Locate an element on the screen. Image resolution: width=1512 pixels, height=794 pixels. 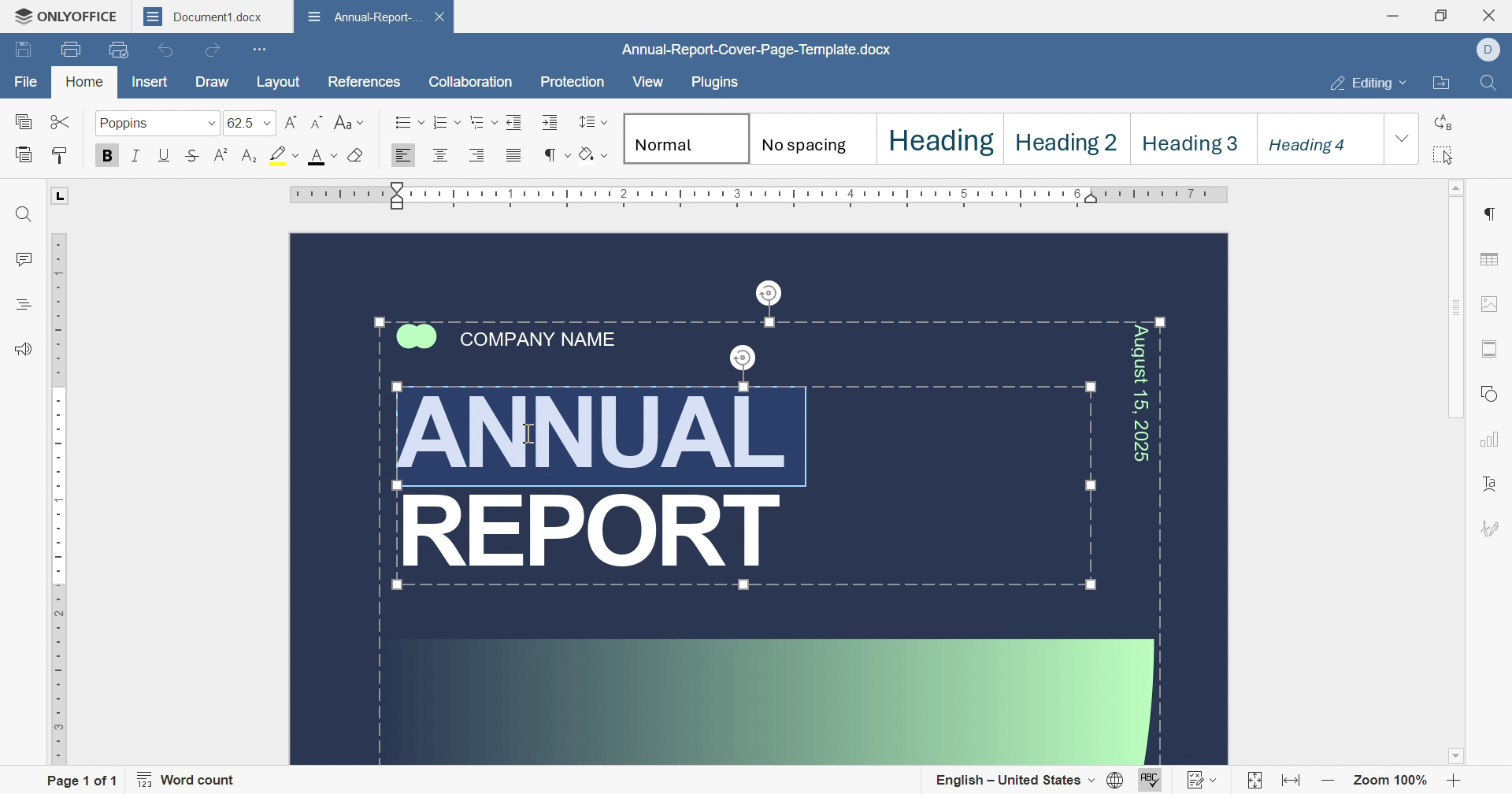
increment font size is located at coordinates (293, 122).